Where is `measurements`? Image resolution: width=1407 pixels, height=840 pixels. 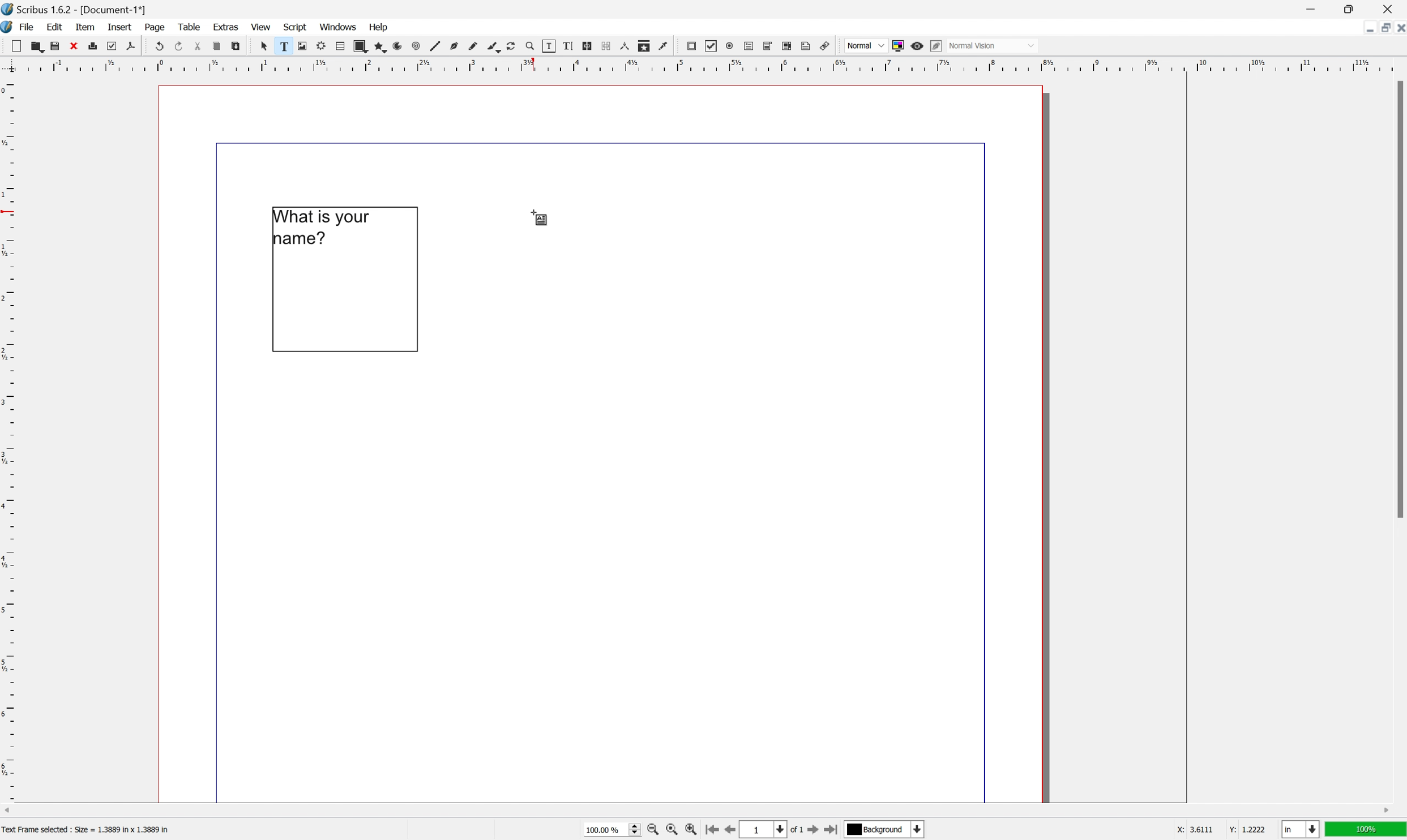
measurements is located at coordinates (625, 46).